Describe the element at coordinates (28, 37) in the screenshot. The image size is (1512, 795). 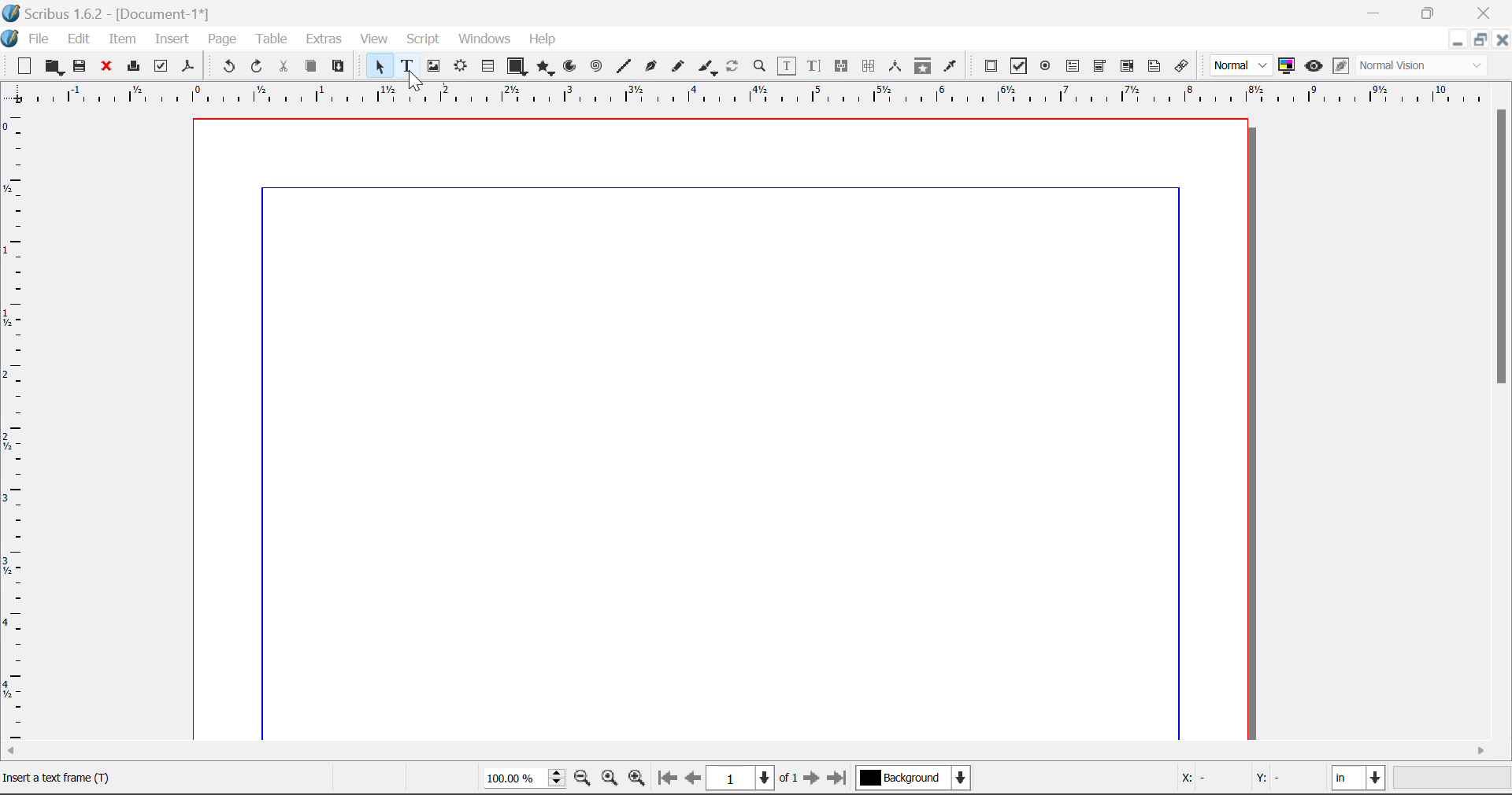
I see `File` at that location.